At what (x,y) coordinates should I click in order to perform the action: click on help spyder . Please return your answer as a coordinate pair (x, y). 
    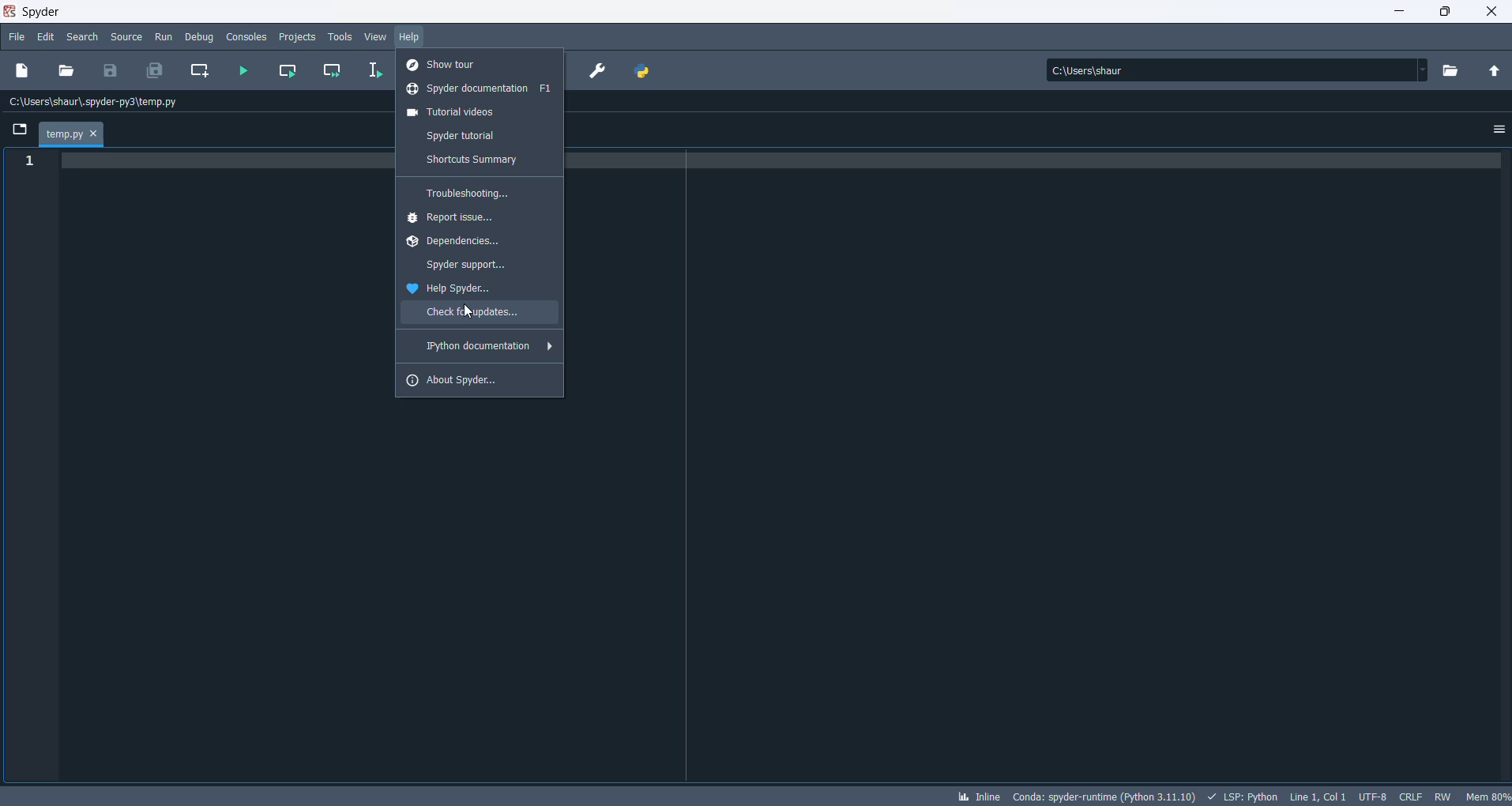
    Looking at the image, I should click on (483, 290).